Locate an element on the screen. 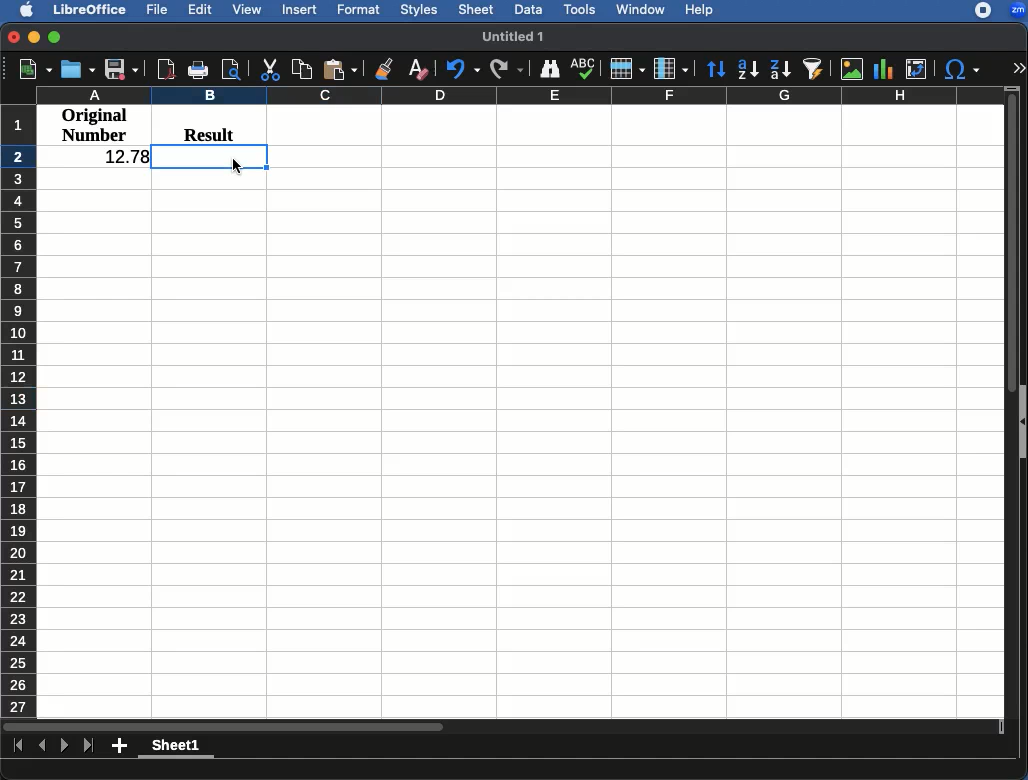 The image size is (1028, 780). cursor is located at coordinates (237, 166).